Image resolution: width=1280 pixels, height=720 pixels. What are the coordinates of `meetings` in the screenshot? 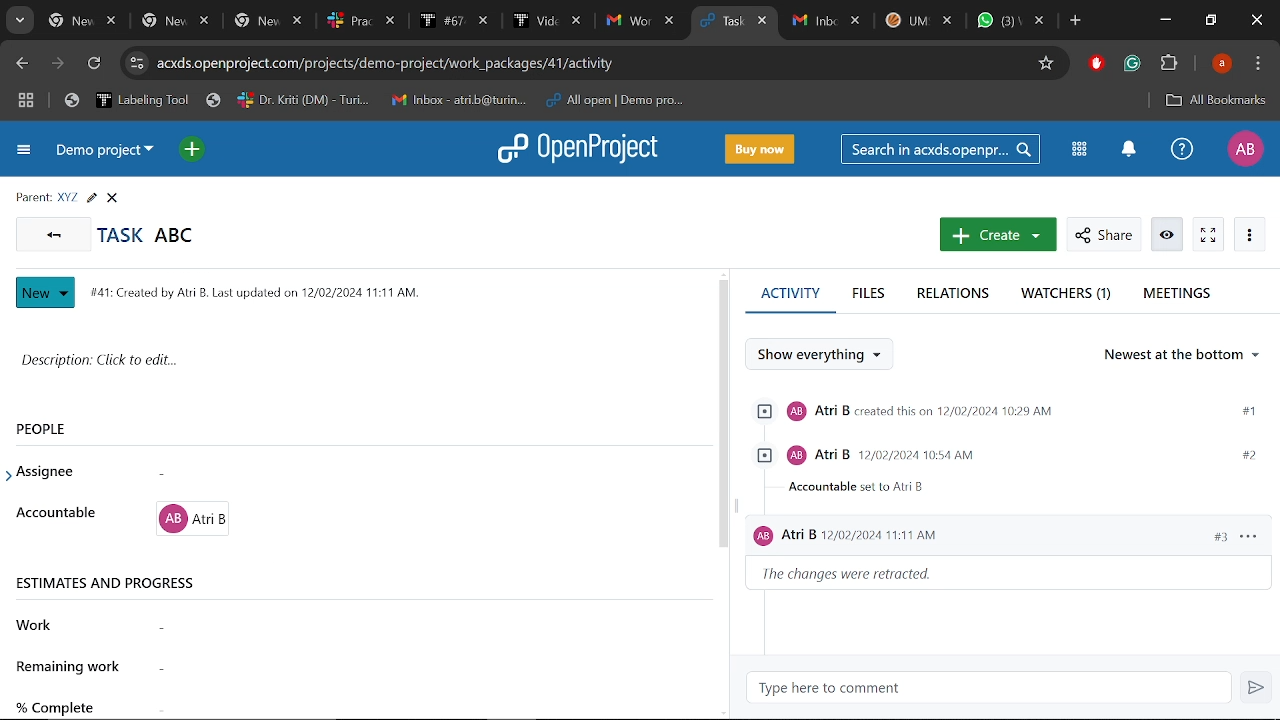 It's located at (1176, 295).